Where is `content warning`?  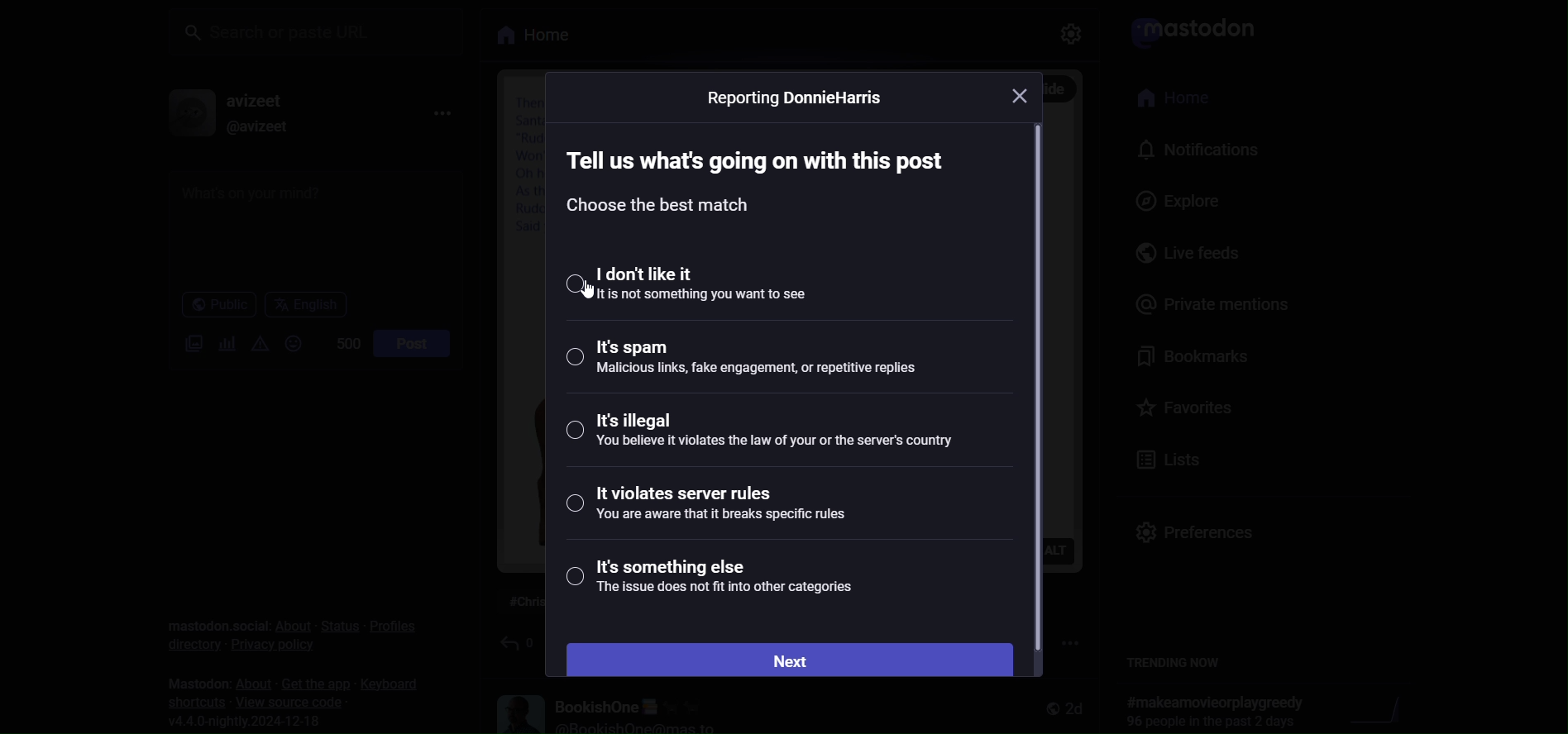
content warning is located at coordinates (259, 343).